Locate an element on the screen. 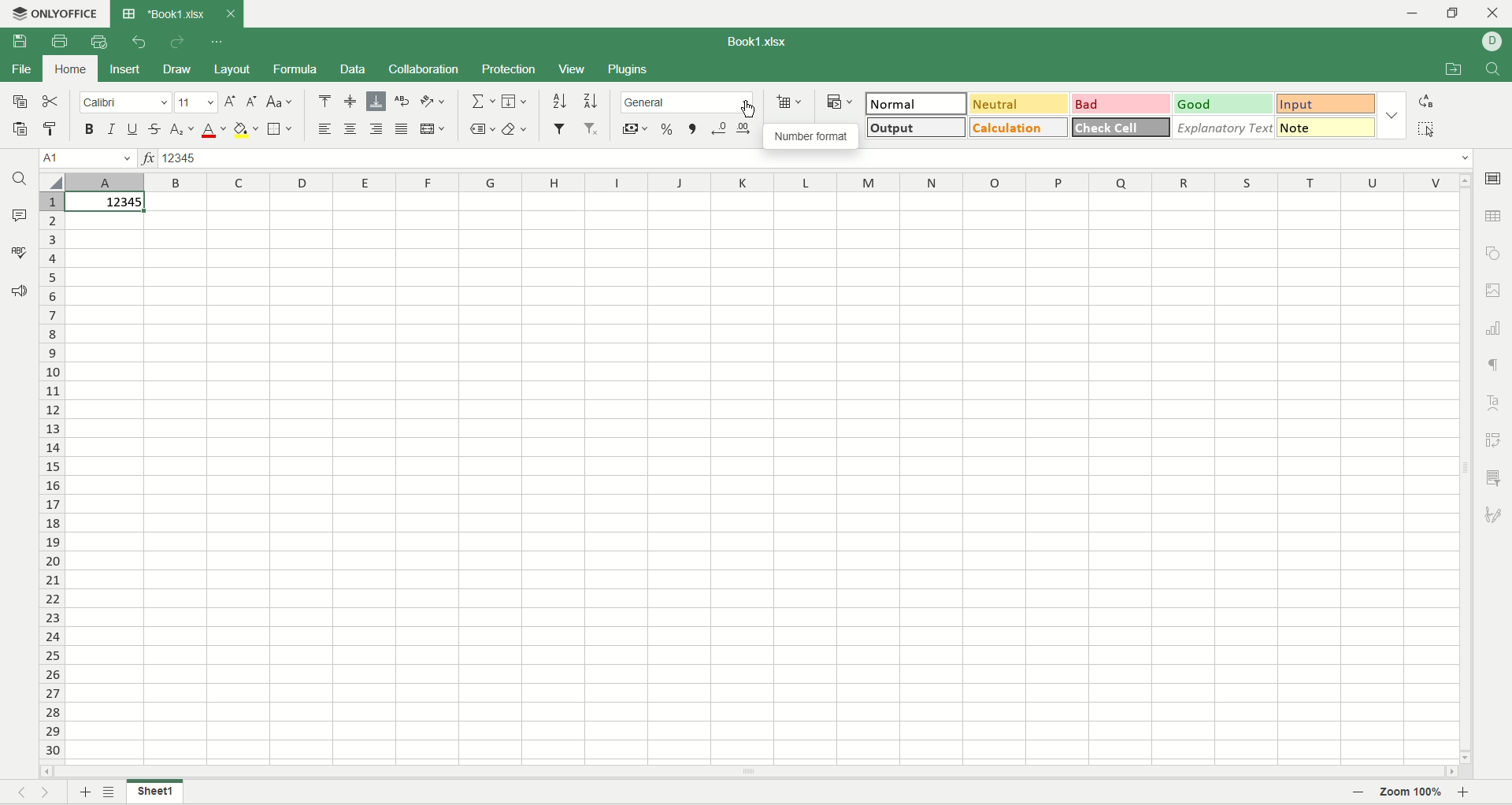 Image resolution: width=1512 pixels, height=805 pixels. good is located at coordinates (1222, 101).